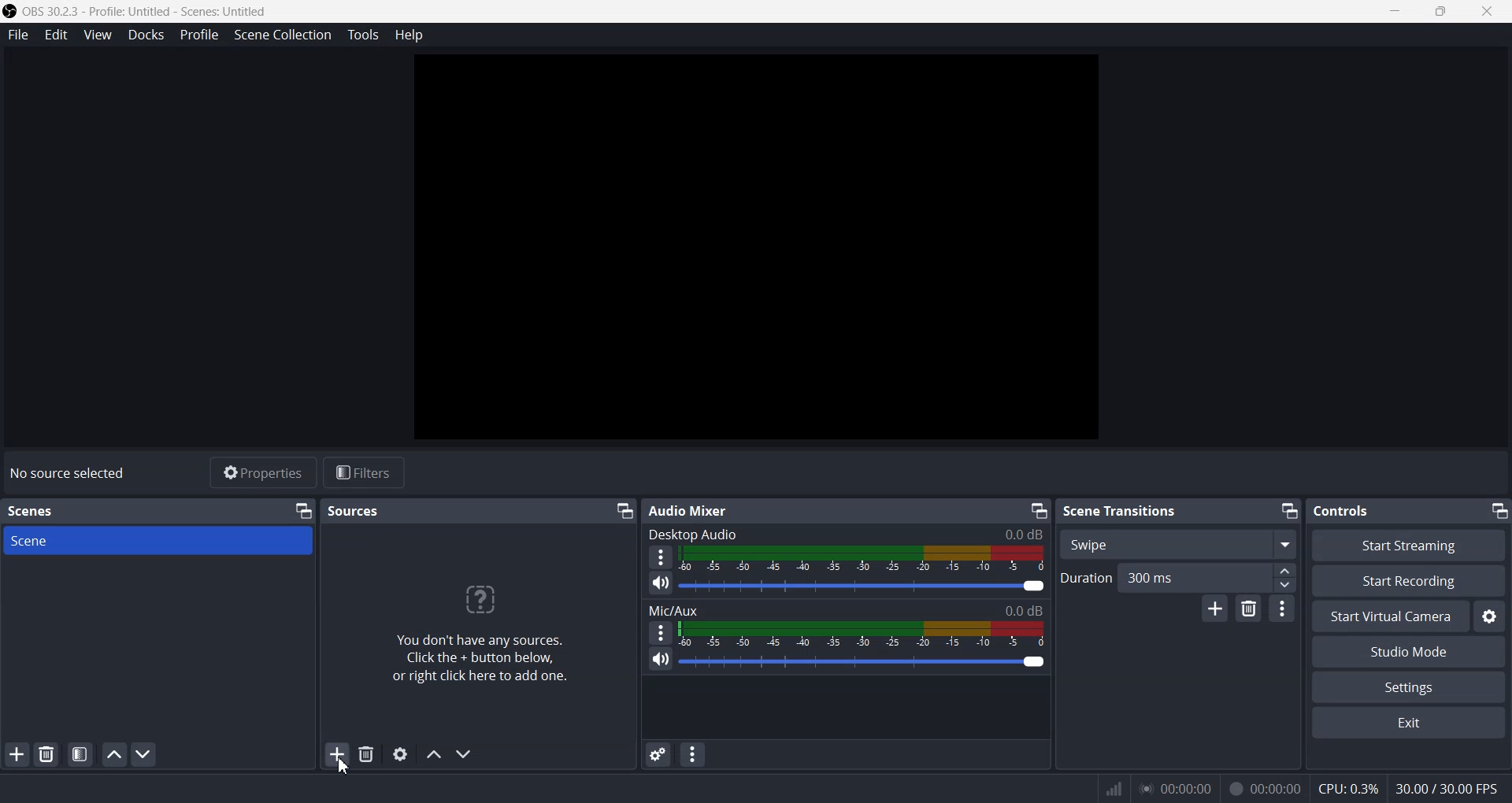 Image resolution: width=1512 pixels, height=803 pixels. What do you see at coordinates (1265, 789) in the screenshot?
I see `& 00:00:00` at bounding box center [1265, 789].